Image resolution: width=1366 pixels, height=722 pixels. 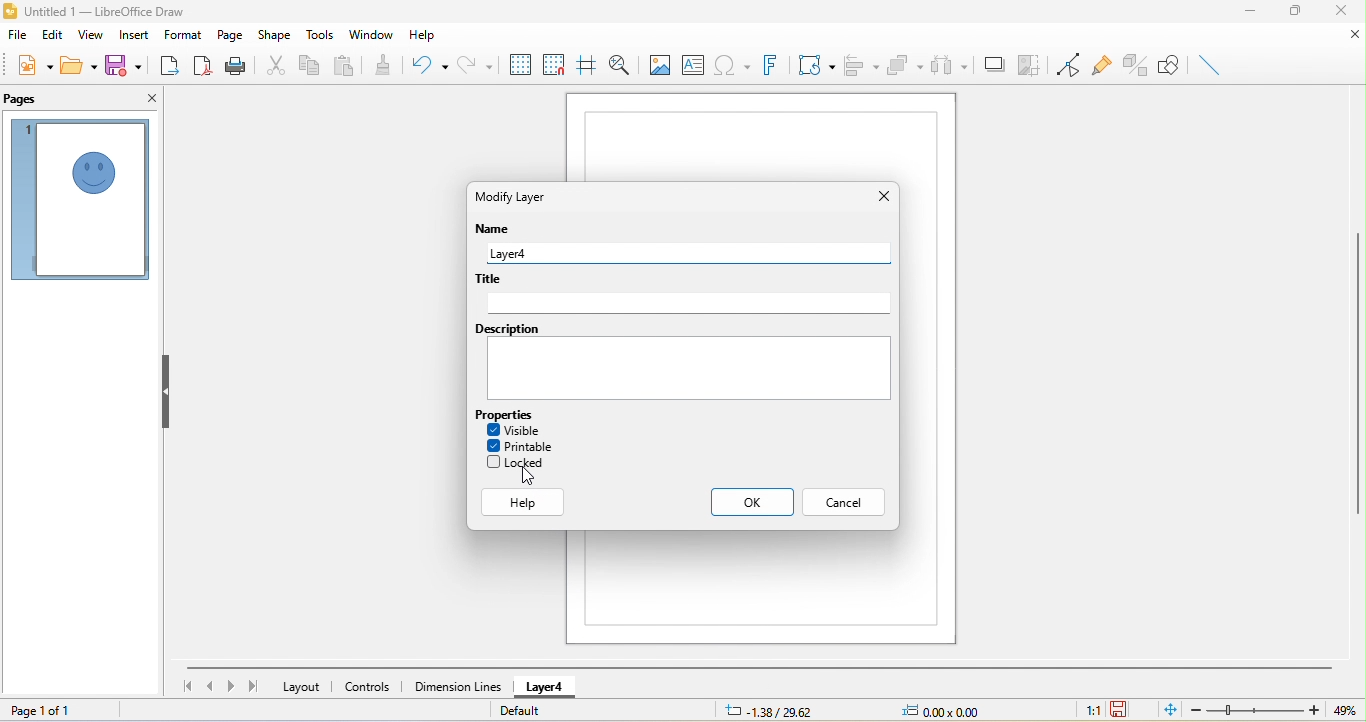 What do you see at coordinates (1254, 710) in the screenshot?
I see `zoom` at bounding box center [1254, 710].